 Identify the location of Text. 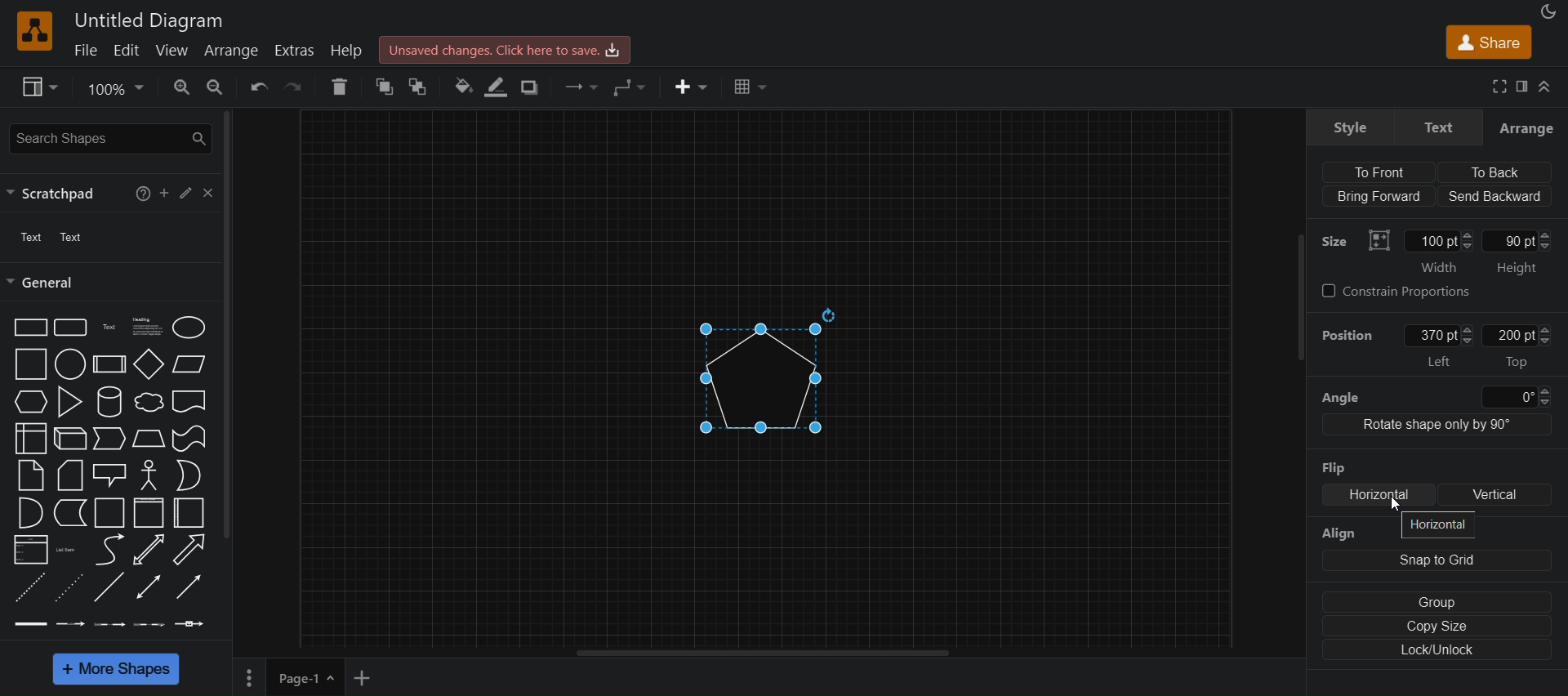
(111, 328).